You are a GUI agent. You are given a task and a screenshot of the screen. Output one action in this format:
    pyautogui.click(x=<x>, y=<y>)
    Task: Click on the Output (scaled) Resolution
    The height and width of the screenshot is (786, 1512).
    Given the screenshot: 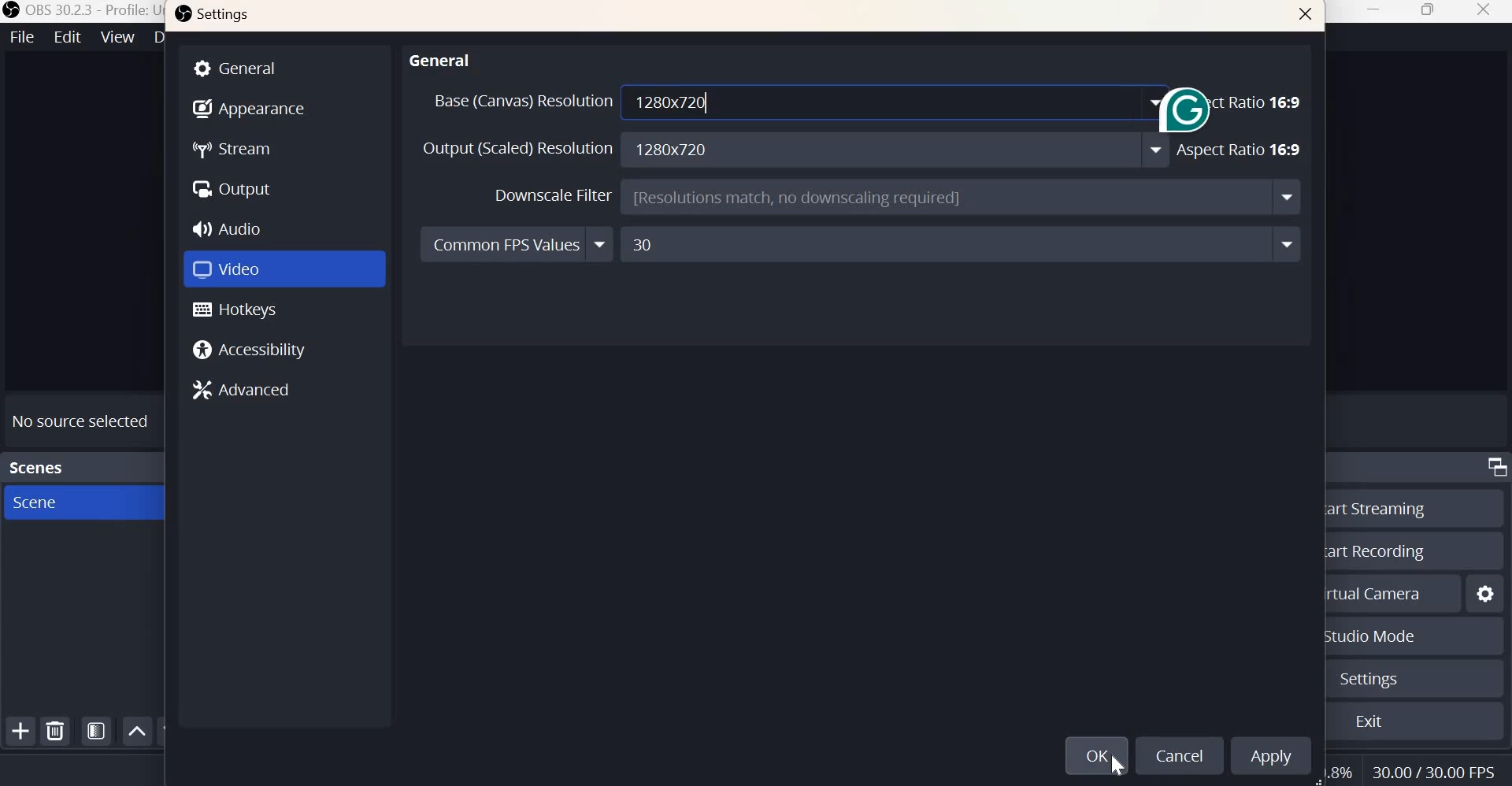 What is the action you would take?
    pyautogui.click(x=517, y=150)
    